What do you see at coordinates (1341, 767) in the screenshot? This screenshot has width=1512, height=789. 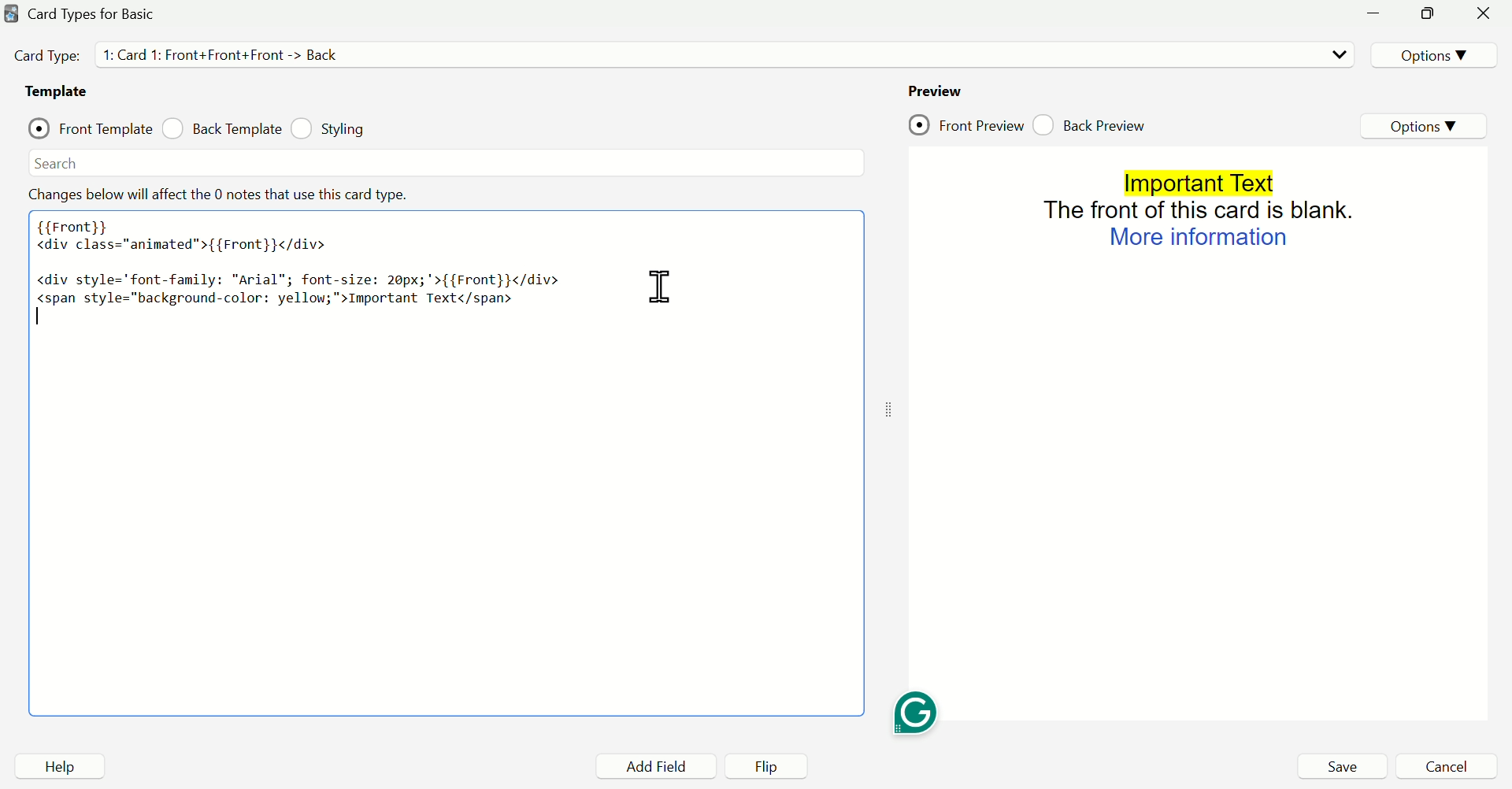 I see `Save` at bounding box center [1341, 767].